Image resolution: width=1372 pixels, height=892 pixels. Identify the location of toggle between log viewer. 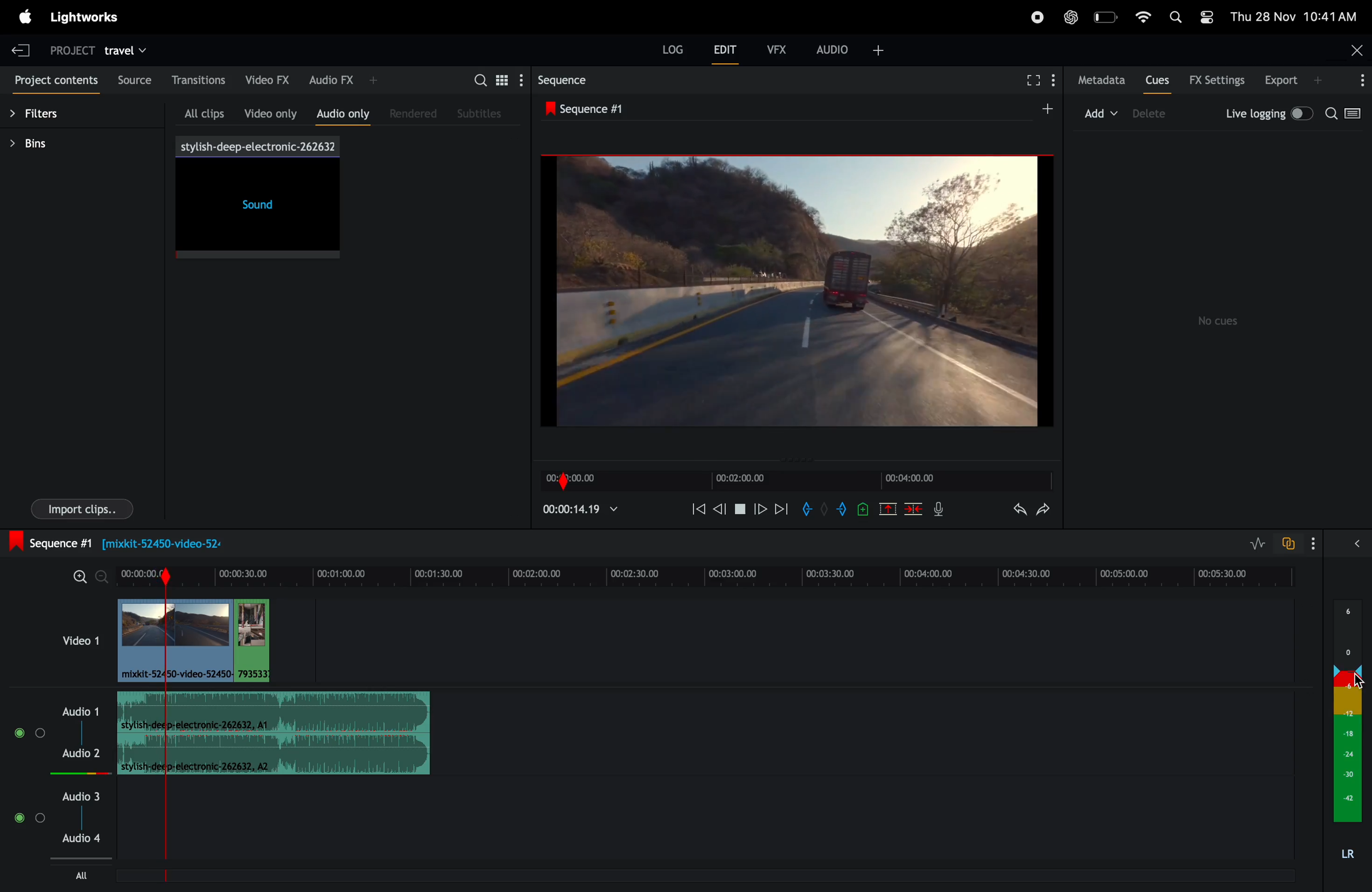
(1355, 114).